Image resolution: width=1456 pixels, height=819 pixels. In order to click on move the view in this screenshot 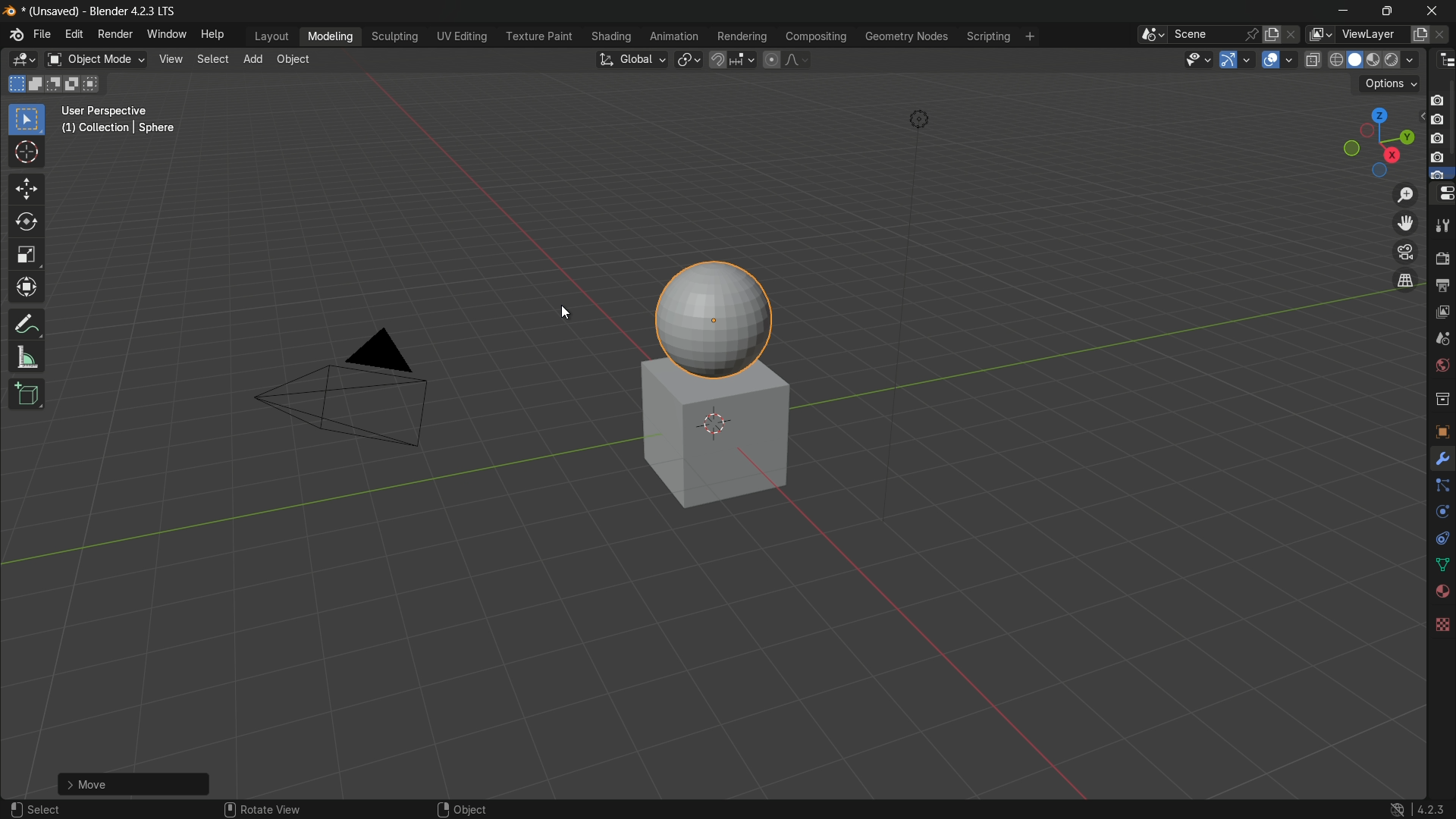, I will do `click(1404, 224)`.